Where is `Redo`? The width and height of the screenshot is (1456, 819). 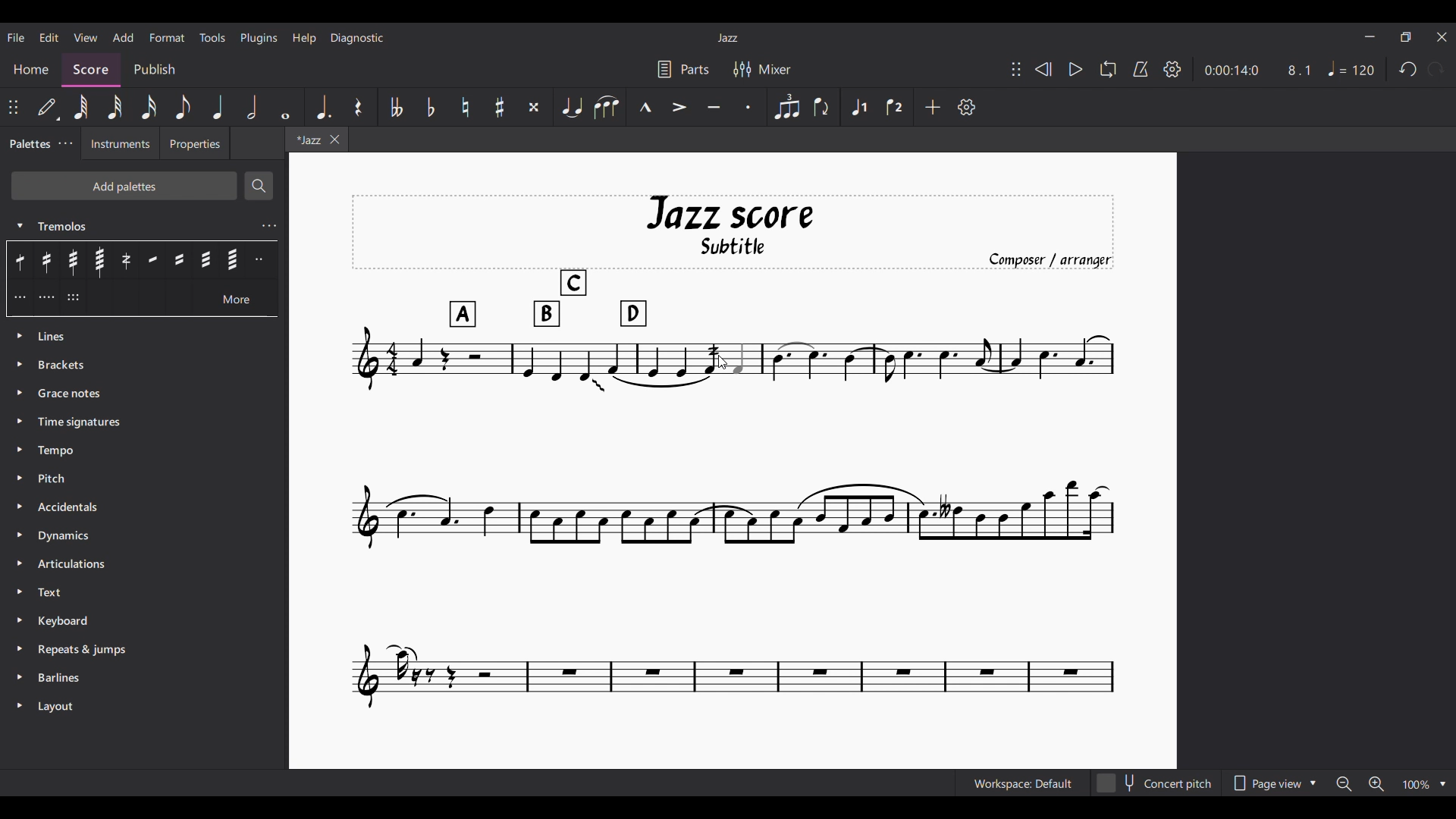
Redo is located at coordinates (1437, 69).